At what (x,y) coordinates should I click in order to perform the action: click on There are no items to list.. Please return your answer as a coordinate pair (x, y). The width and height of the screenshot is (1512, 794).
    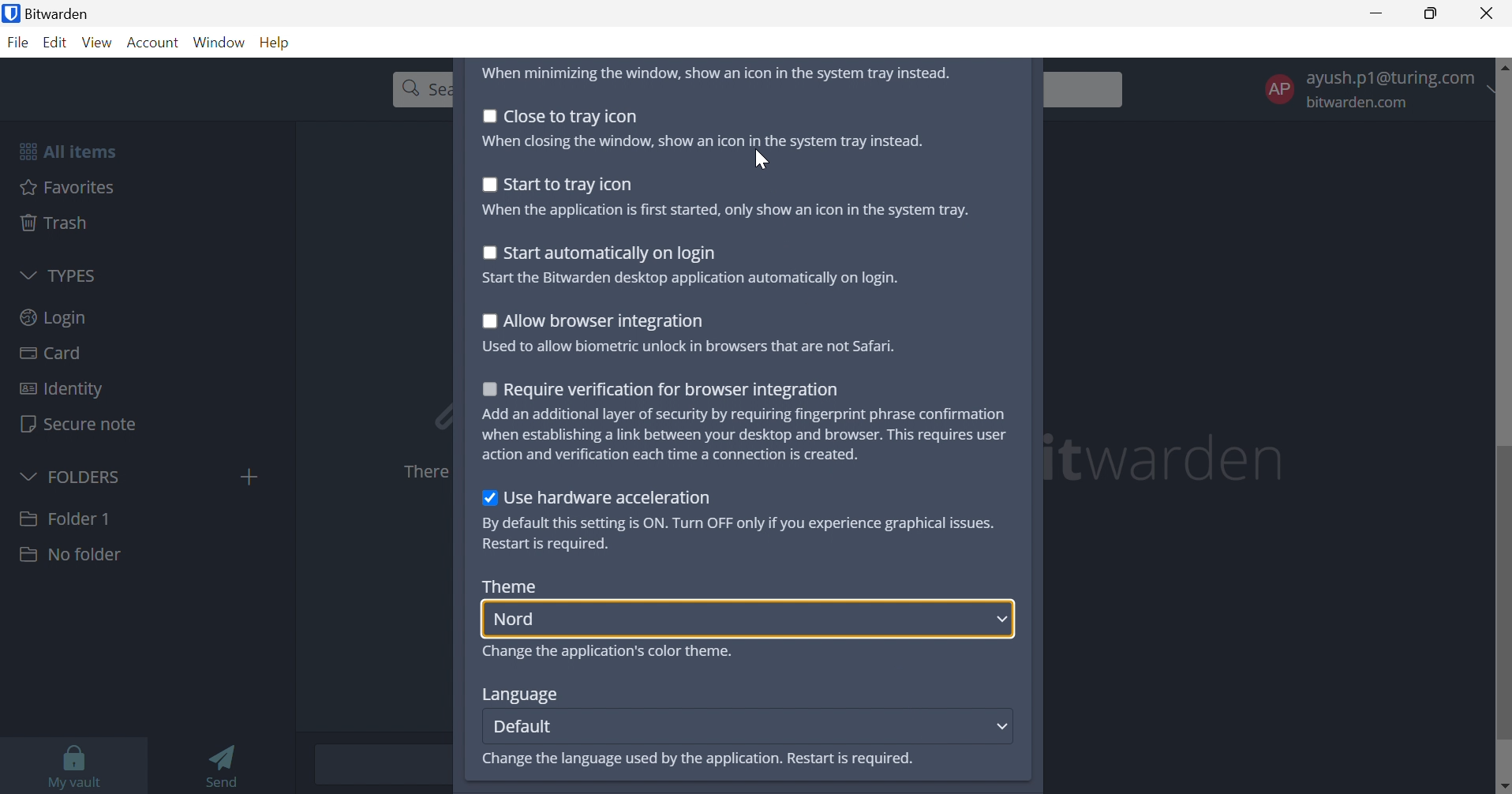
    Looking at the image, I should click on (422, 472).